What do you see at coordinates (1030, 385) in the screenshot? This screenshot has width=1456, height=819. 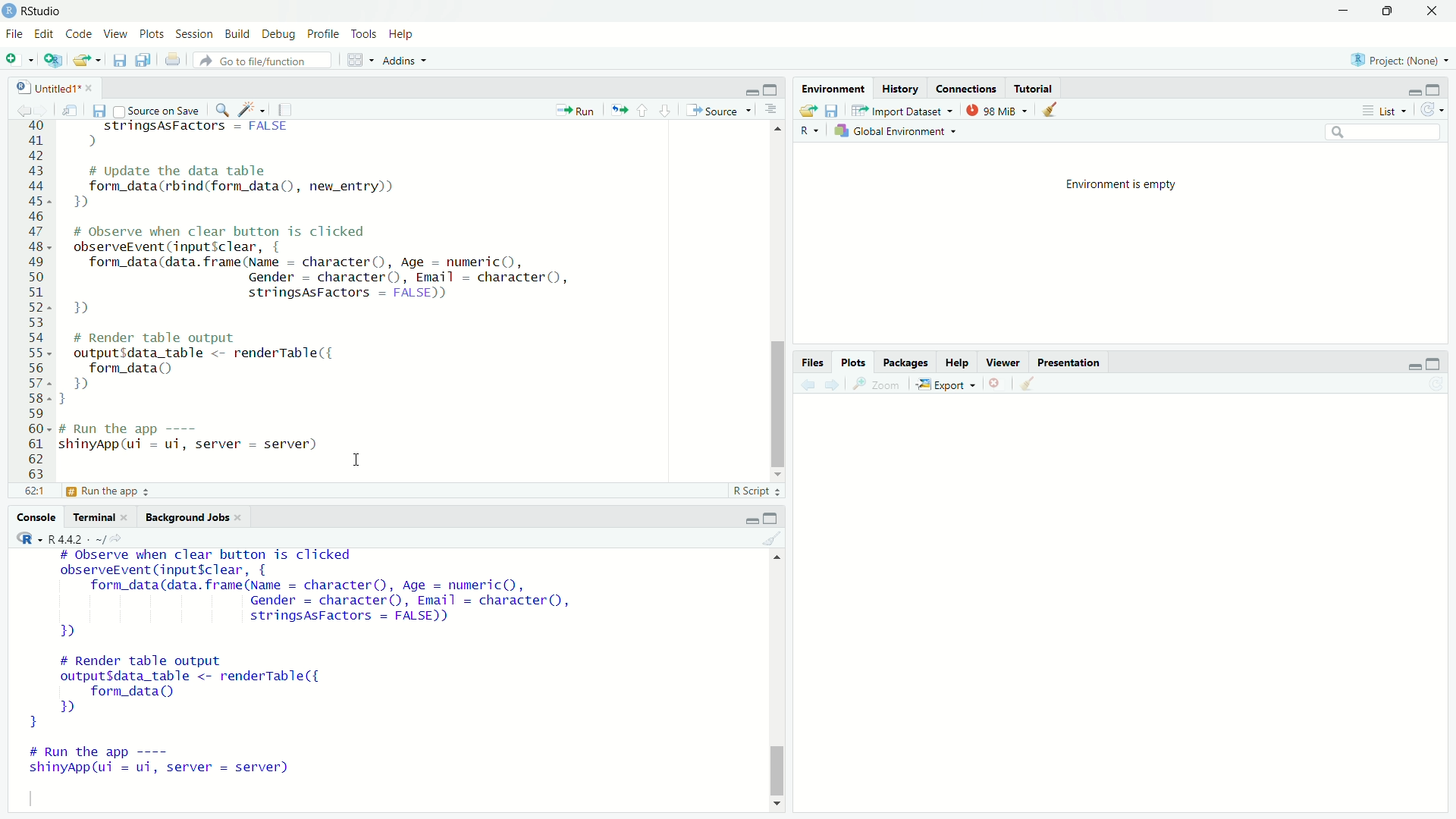 I see `clear all plots` at bounding box center [1030, 385].